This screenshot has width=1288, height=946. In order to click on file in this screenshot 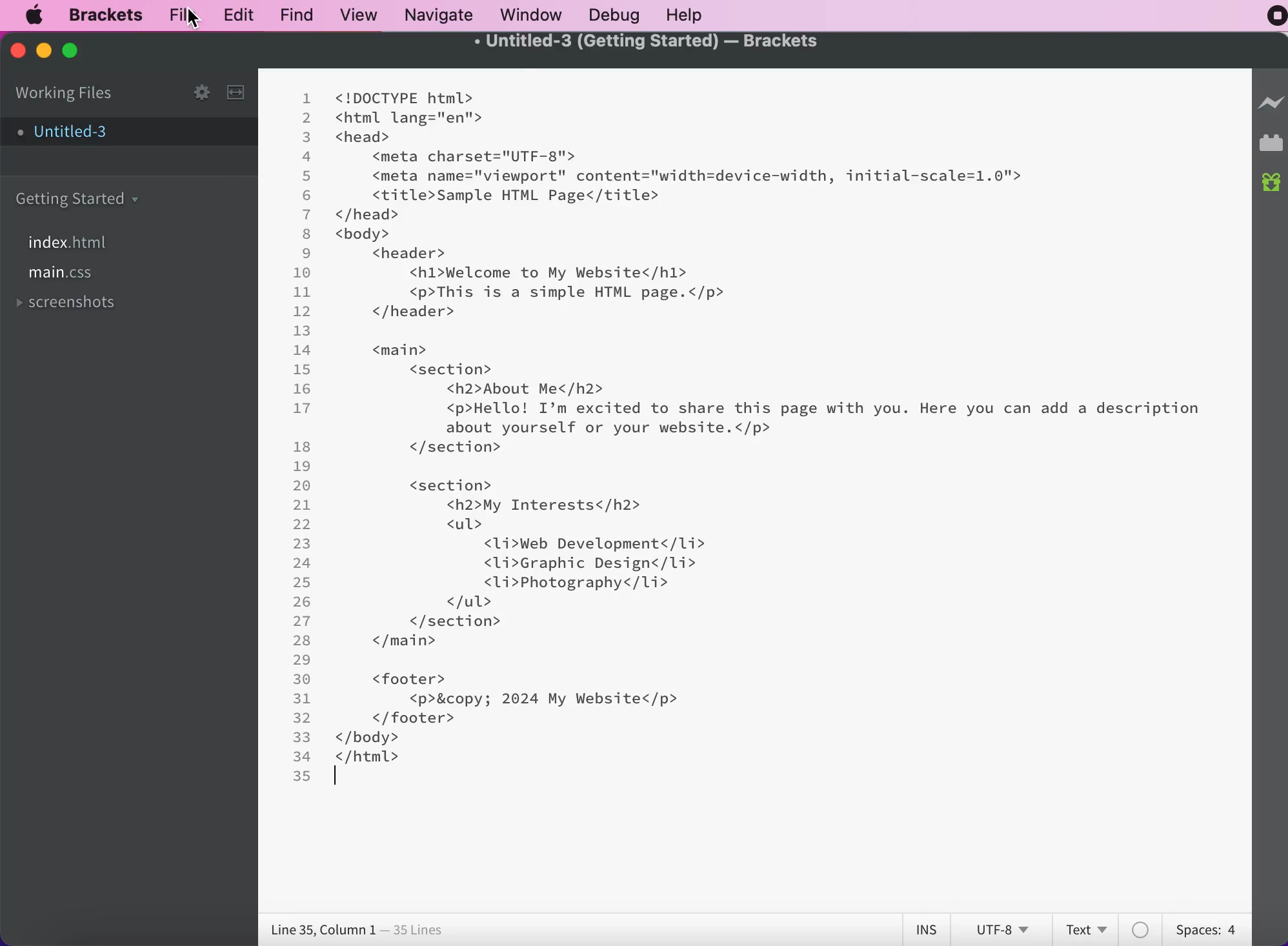, I will do `click(183, 15)`.